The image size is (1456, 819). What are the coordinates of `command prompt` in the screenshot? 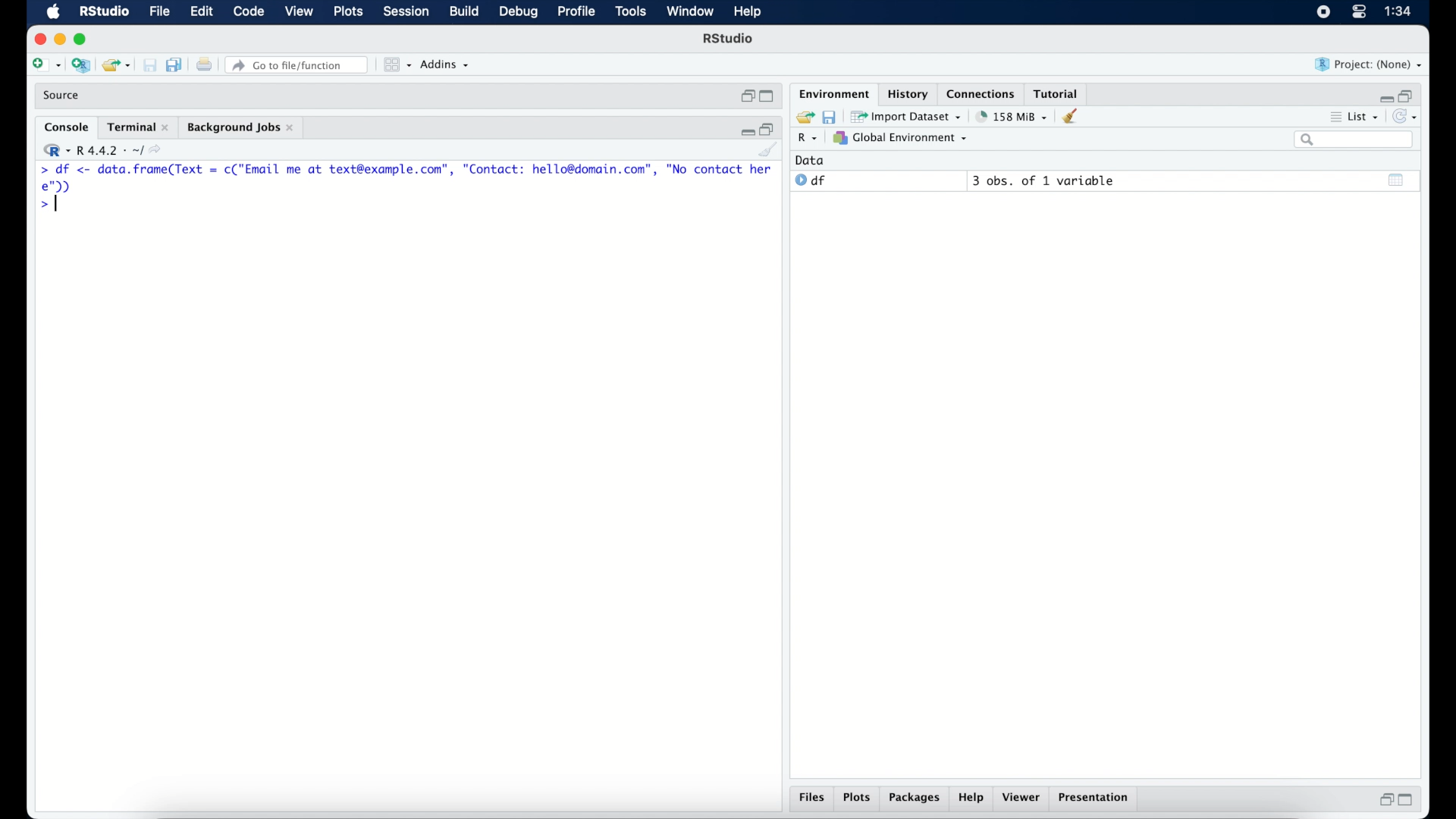 It's located at (50, 206).